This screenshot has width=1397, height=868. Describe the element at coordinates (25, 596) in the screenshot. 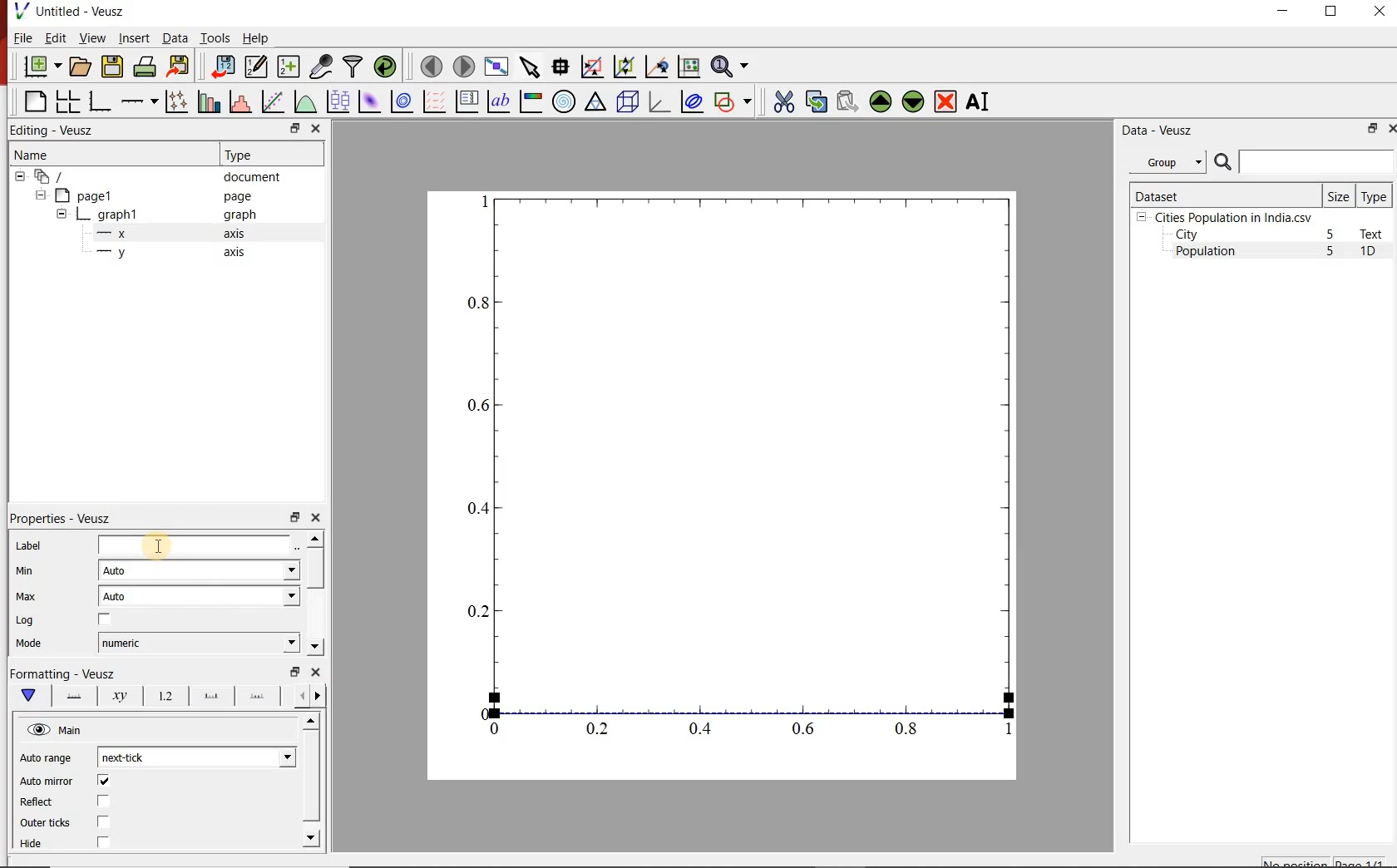

I see `Max` at that location.